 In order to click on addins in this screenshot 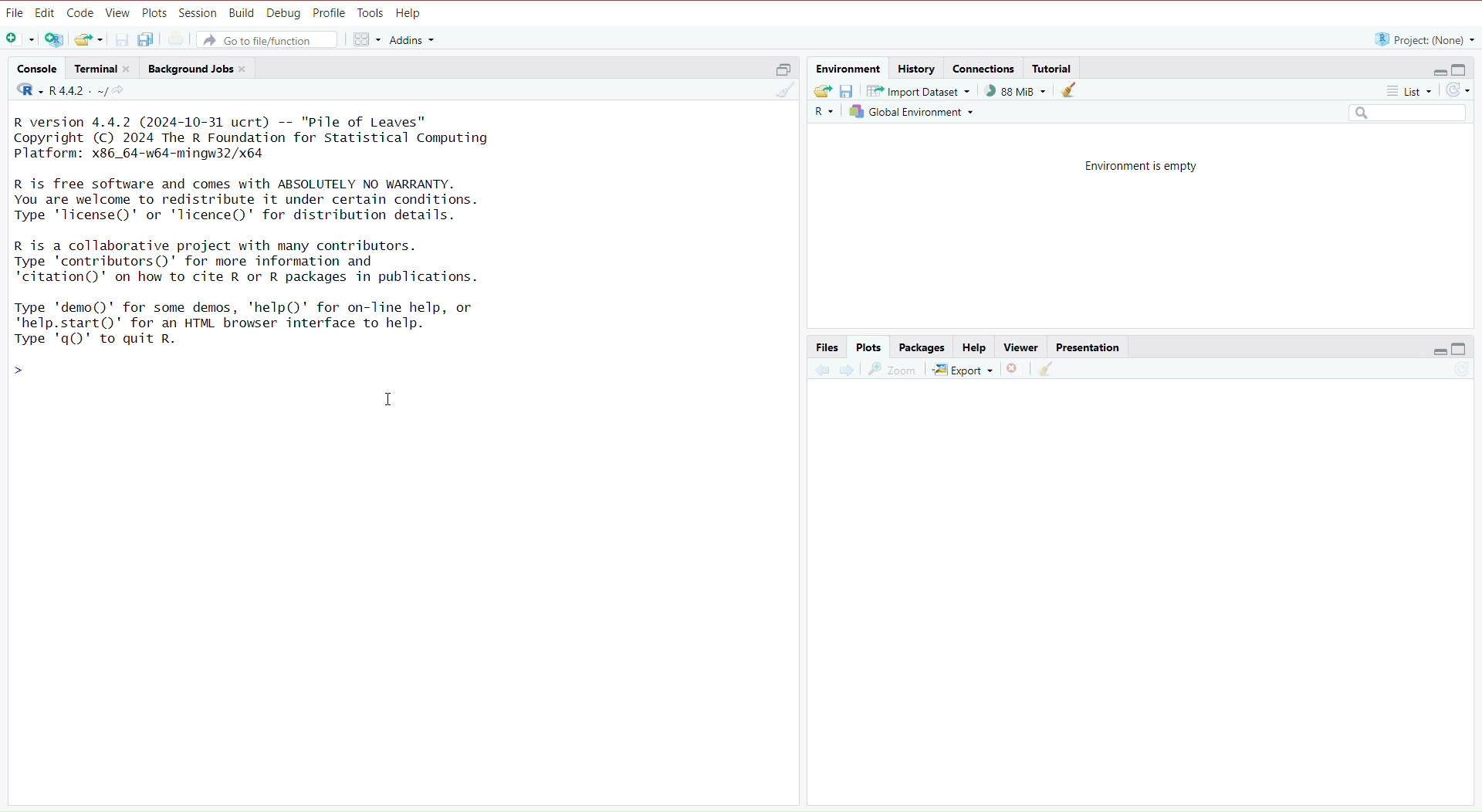, I will do `click(413, 39)`.